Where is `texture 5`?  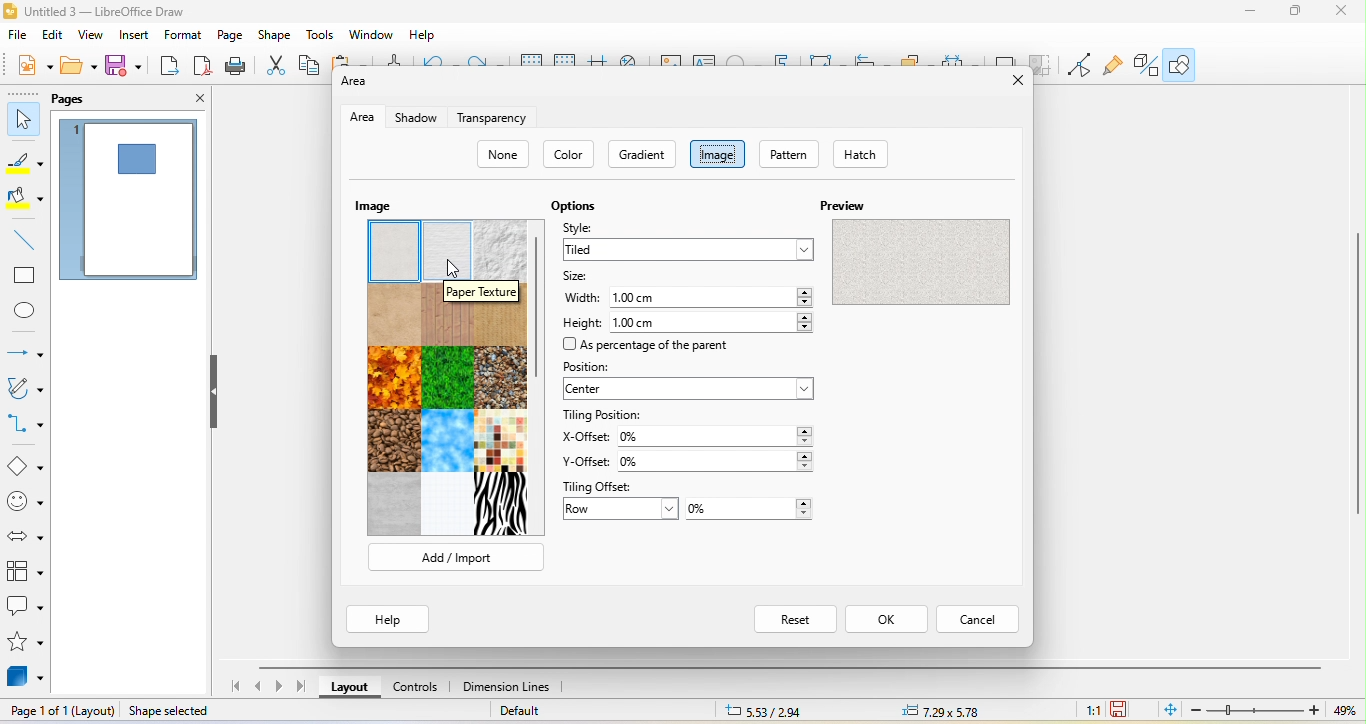
texture 5 is located at coordinates (447, 325).